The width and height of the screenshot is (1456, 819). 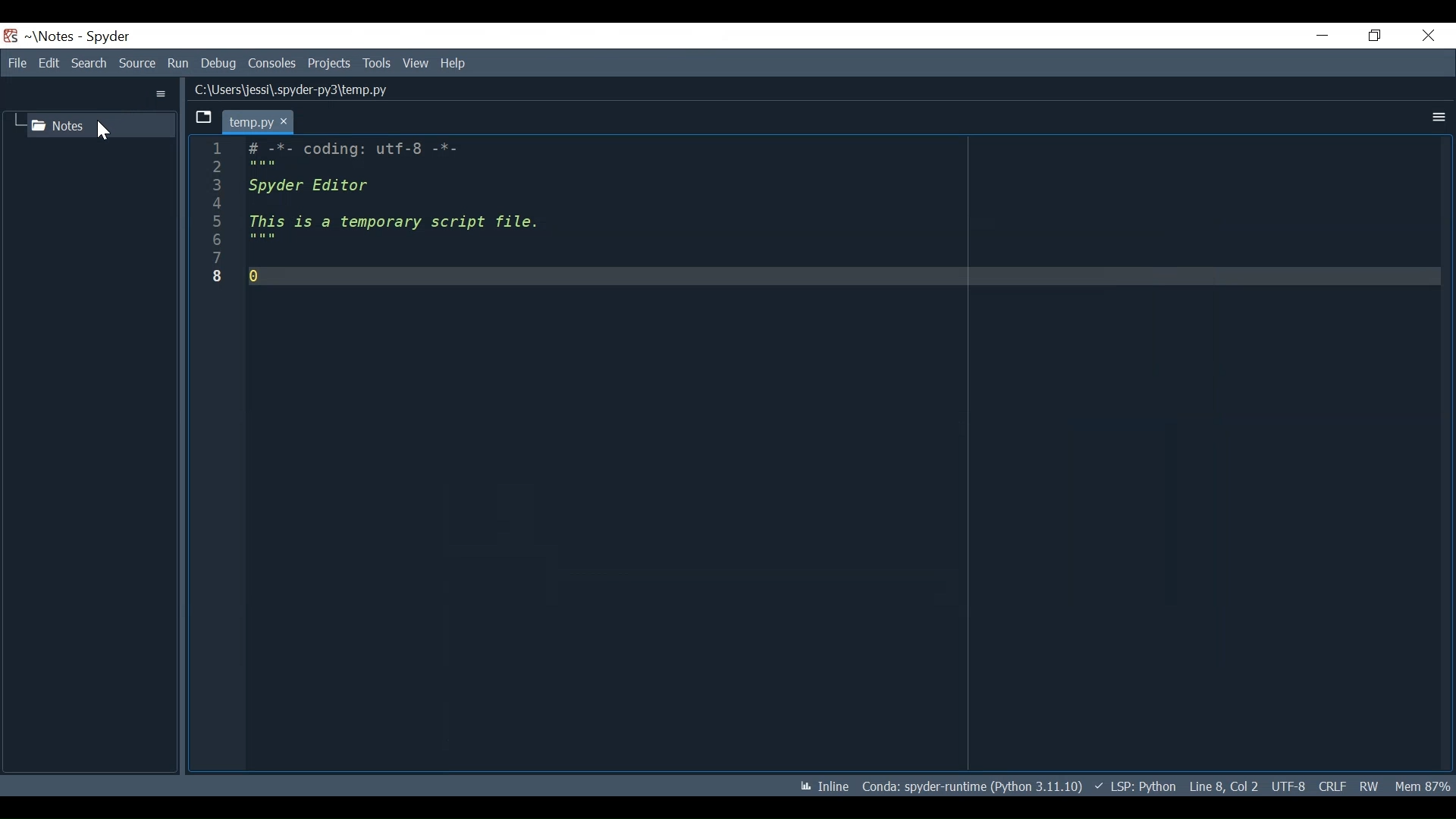 I want to click on 7, so click(x=215, y=257).